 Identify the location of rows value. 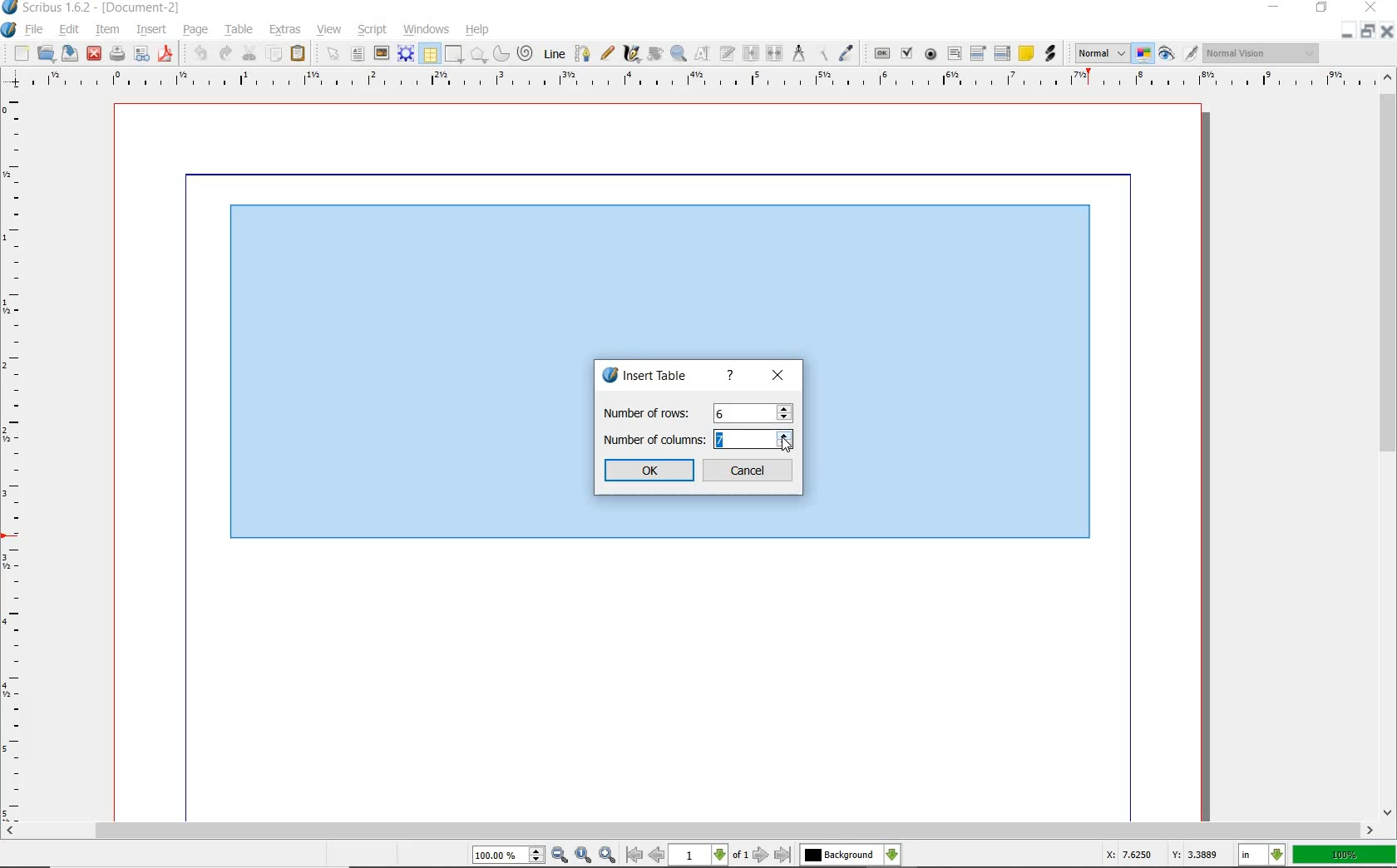
(753, 413).